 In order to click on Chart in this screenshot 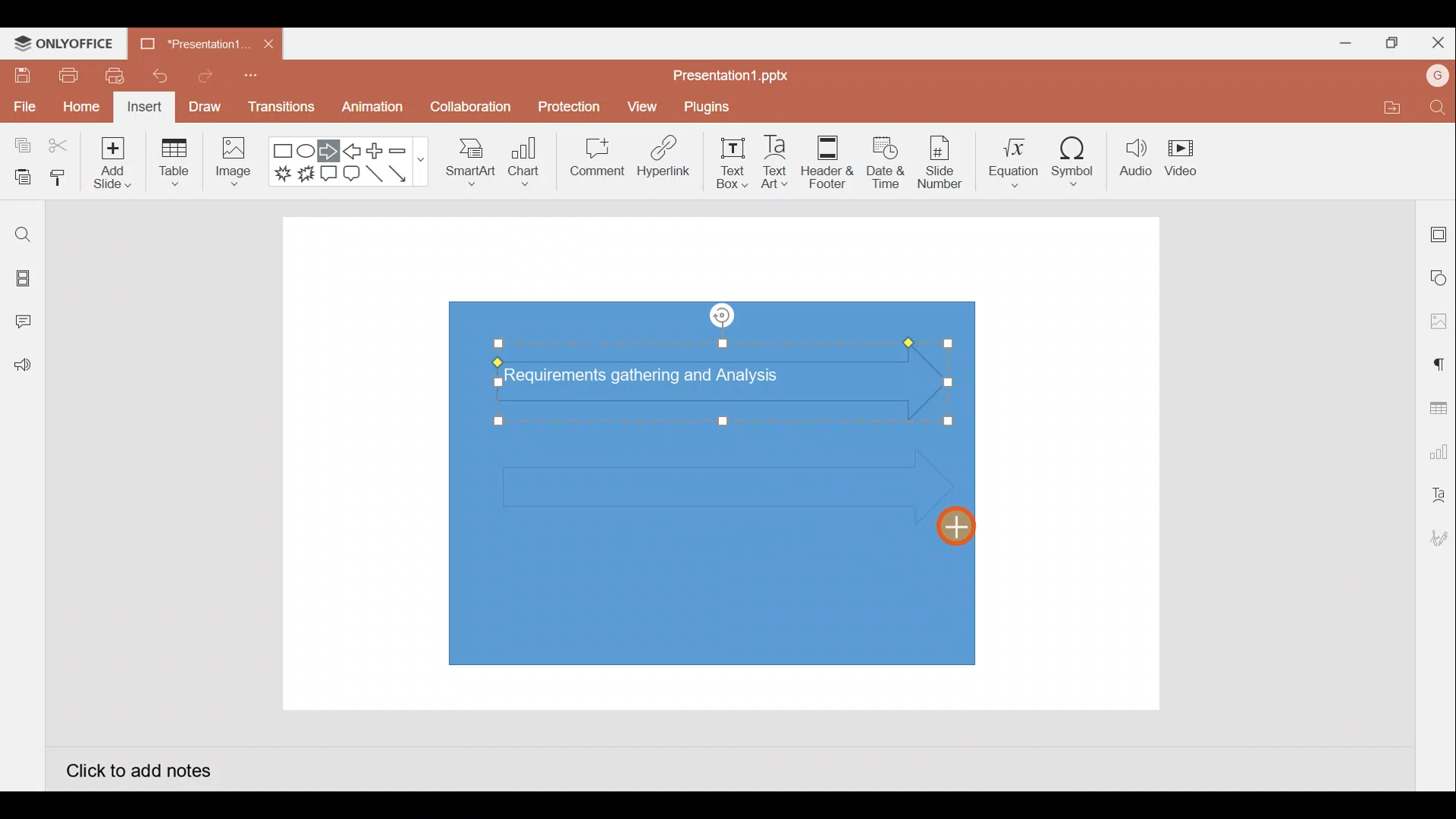, I will do `click(525, 160)`.